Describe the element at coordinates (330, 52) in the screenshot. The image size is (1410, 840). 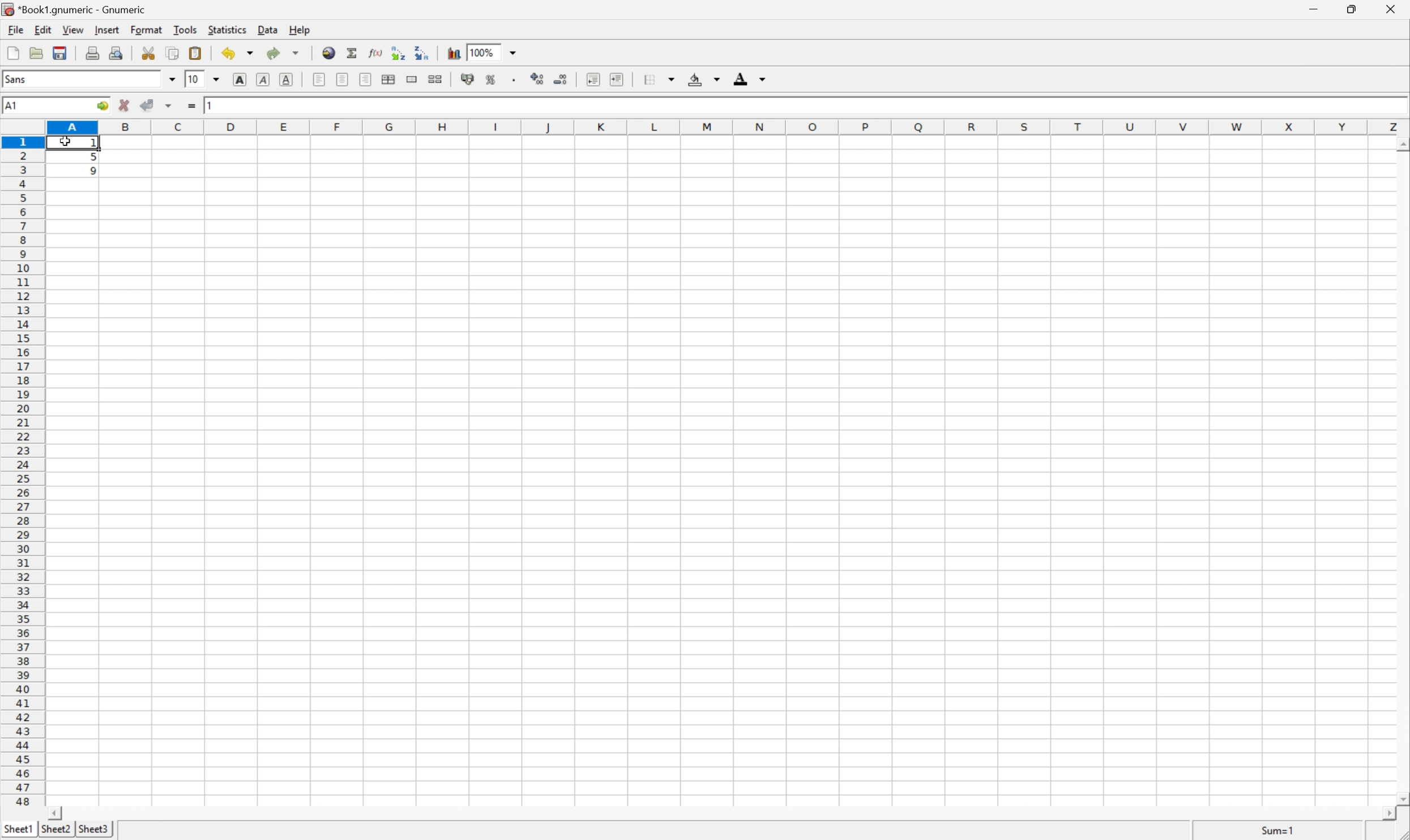
I see `insert hyperlink` at that location.